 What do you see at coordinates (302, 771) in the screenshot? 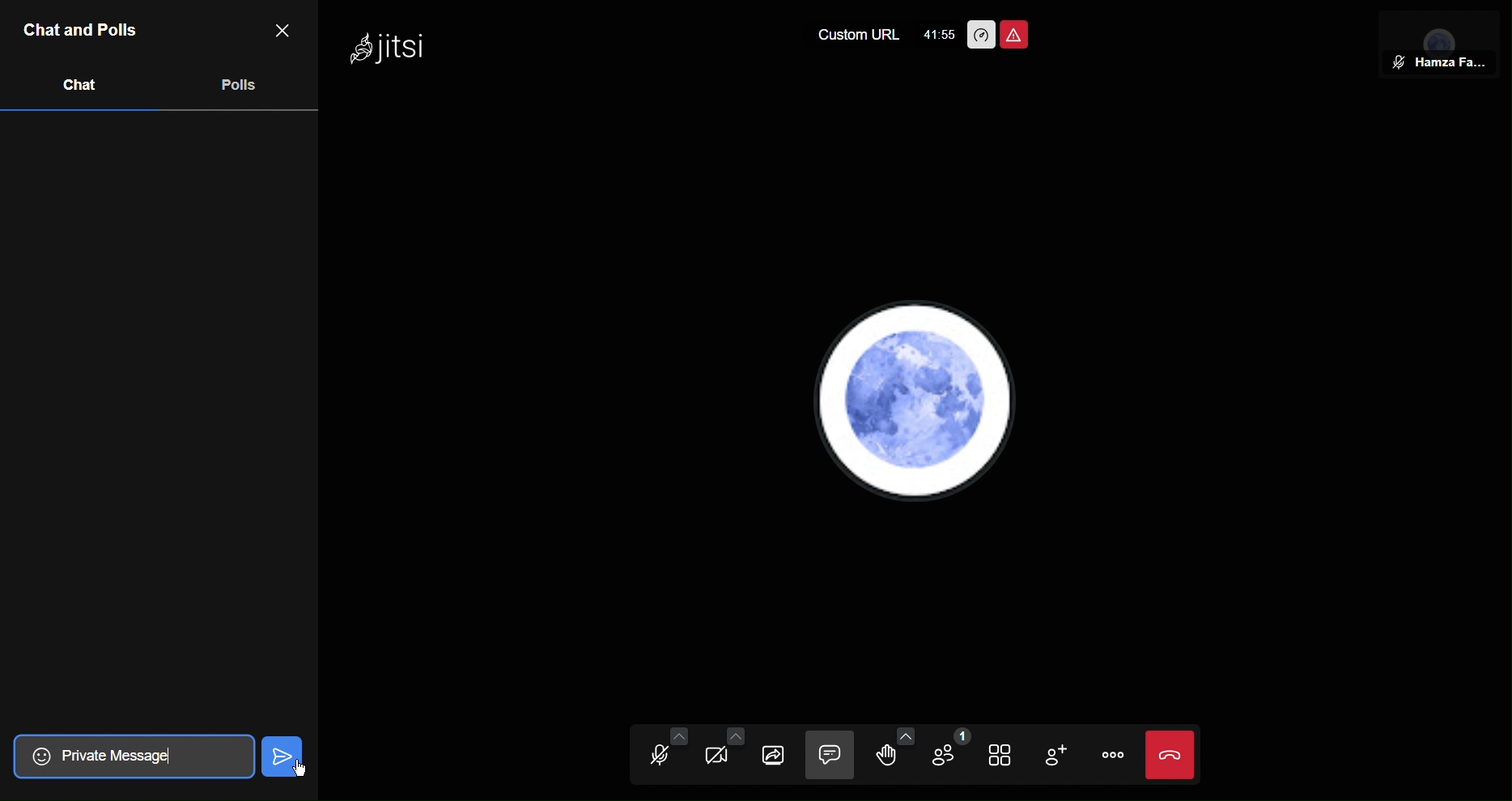
I see `Cursor` at bounding box center [302, 771].